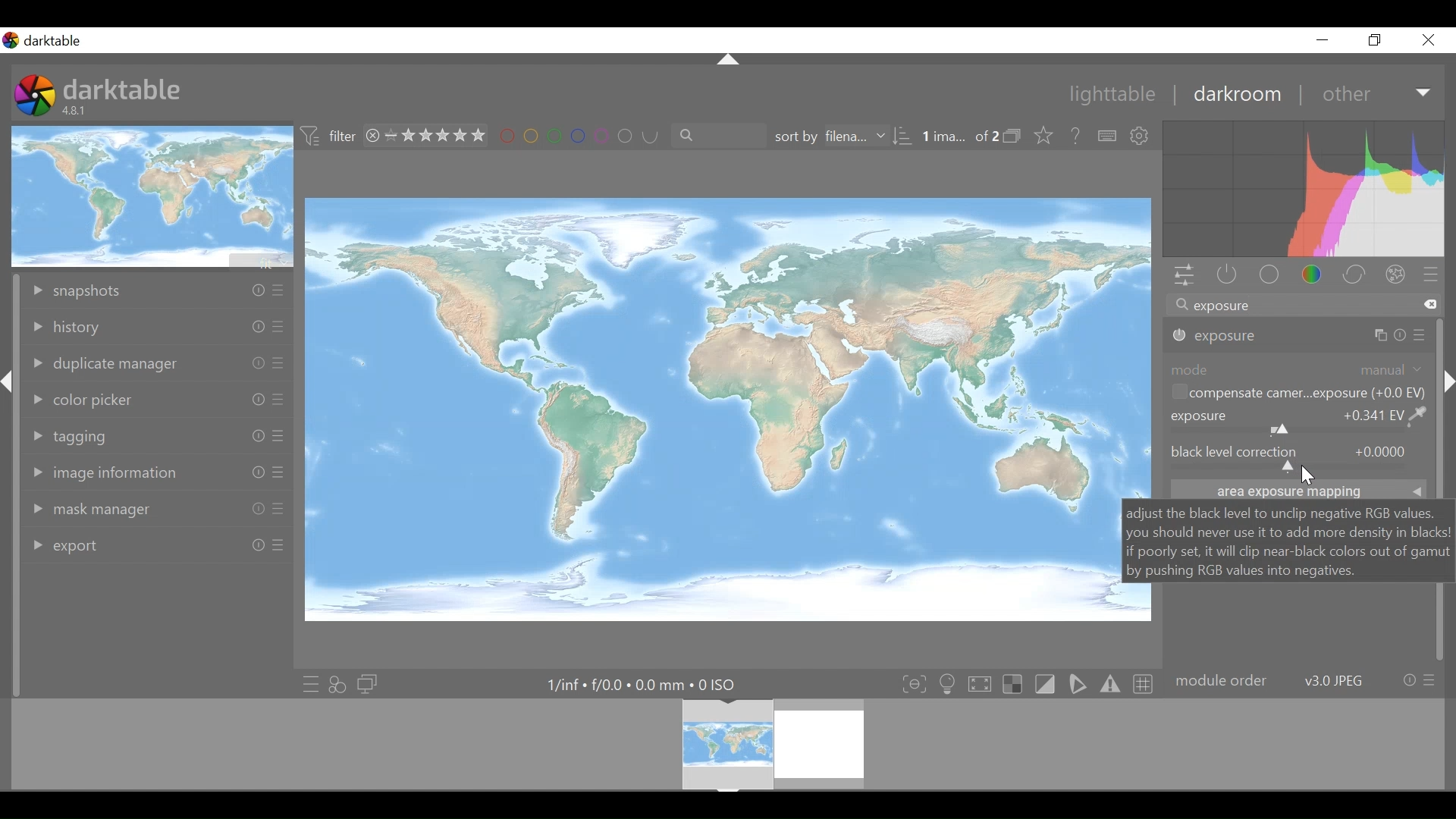  I want to click on hide, so click(10, 389).